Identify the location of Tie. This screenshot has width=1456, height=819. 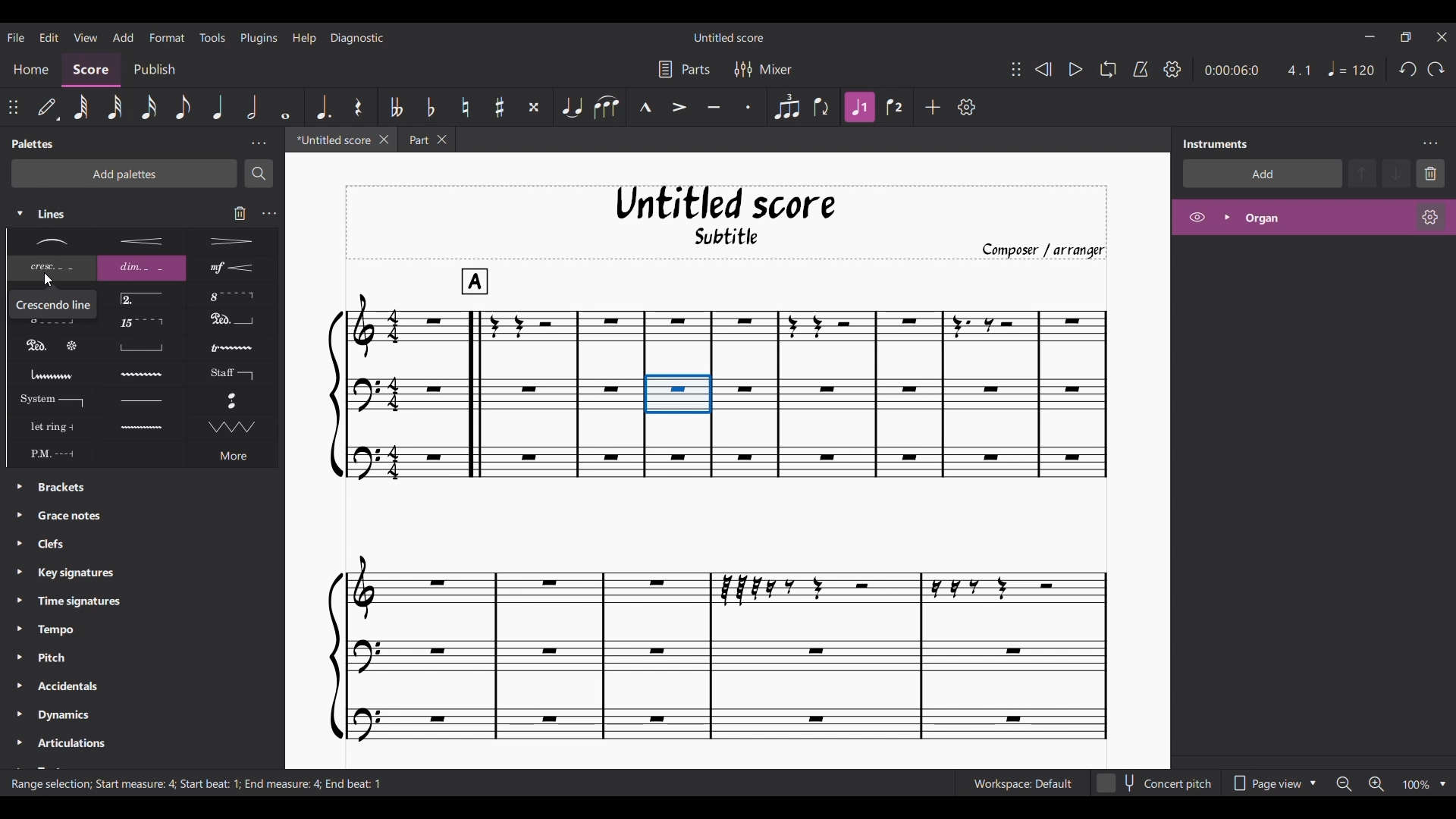
(572, 108).